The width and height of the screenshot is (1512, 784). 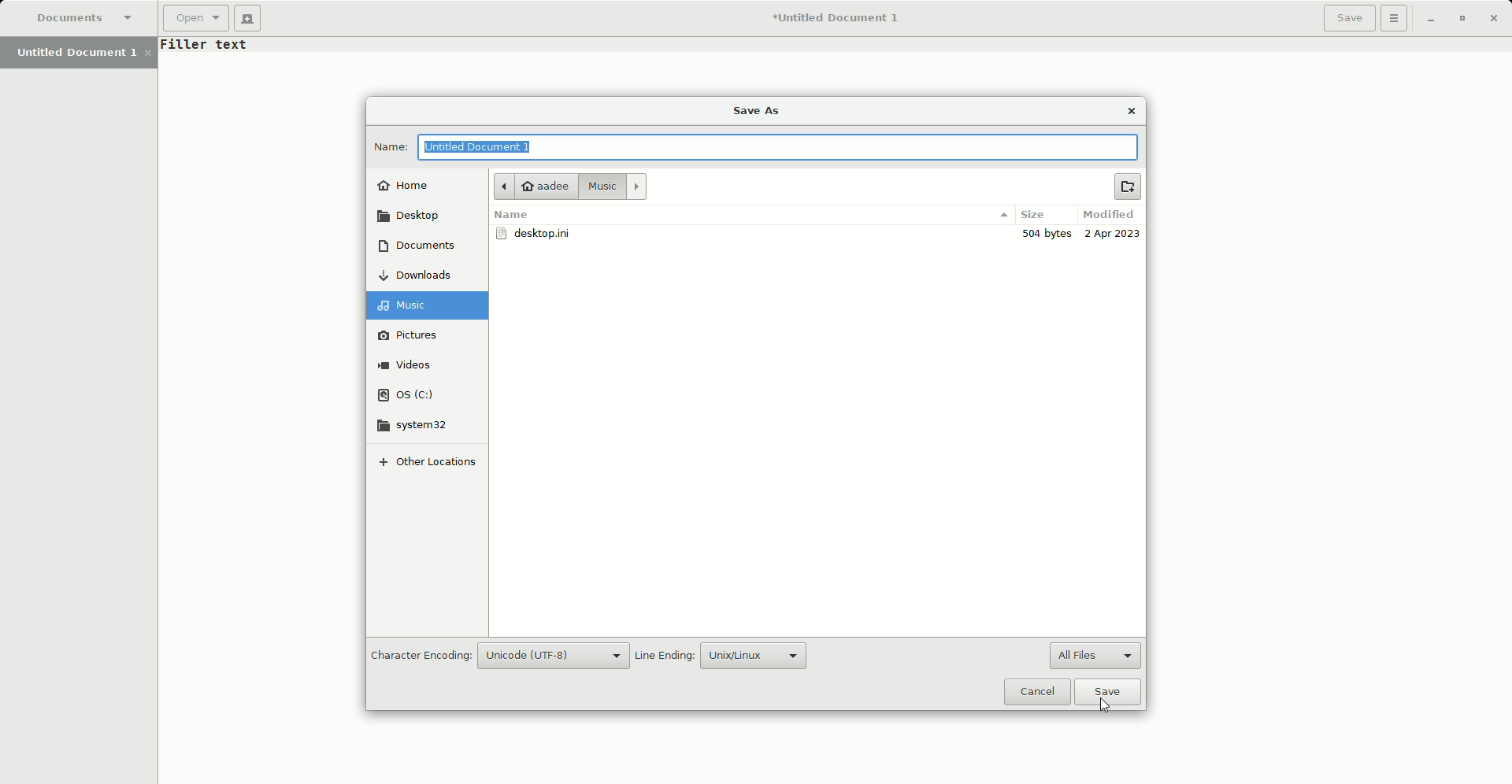 What do you see at coordinates (830, 19) in the screenshot?
I see `Untitled Document 1` at bounding box center [830, 19].